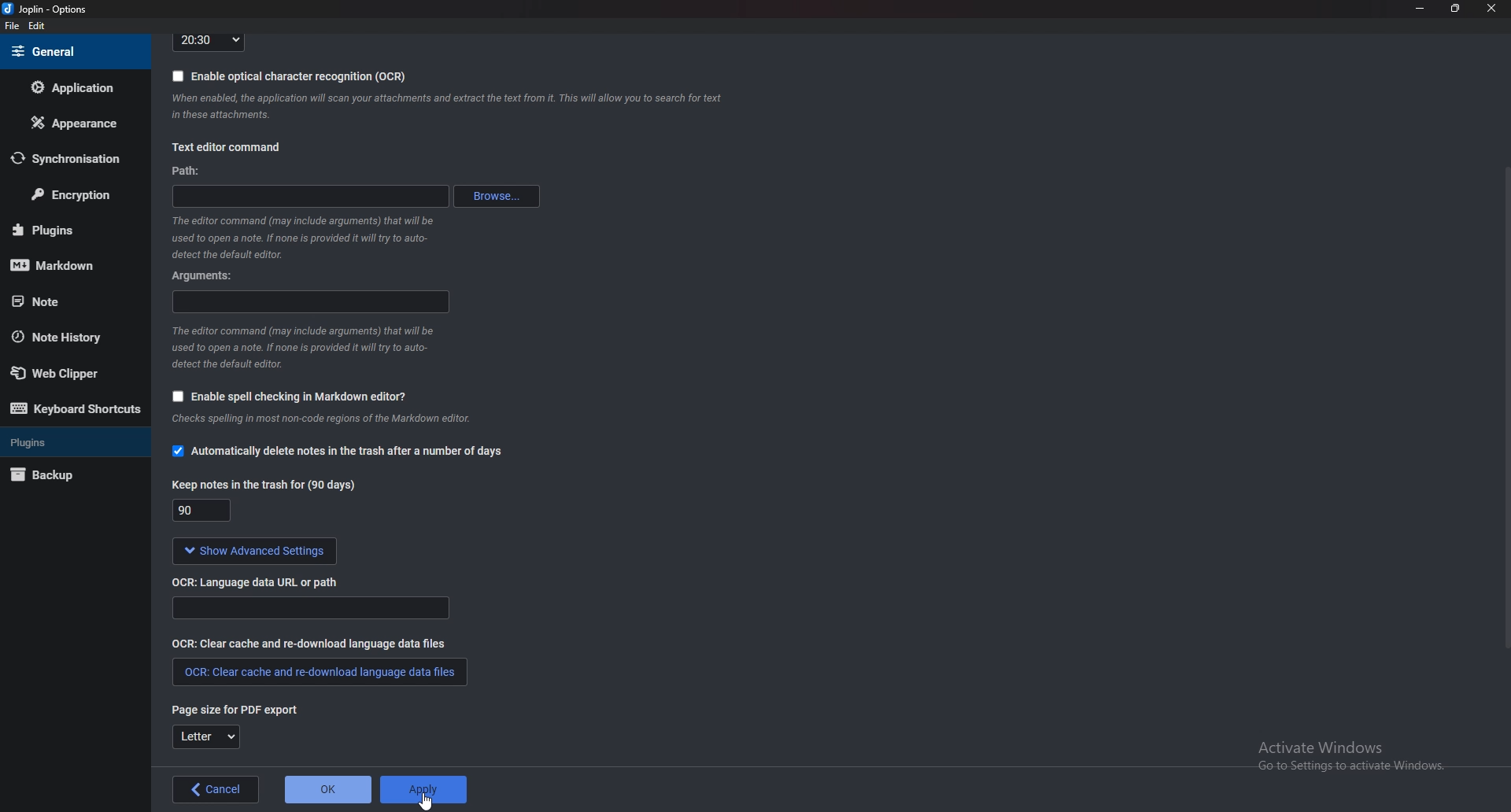 The image size is (1511, 812). I want to click on Page size for P D F export, so click(227, 709).